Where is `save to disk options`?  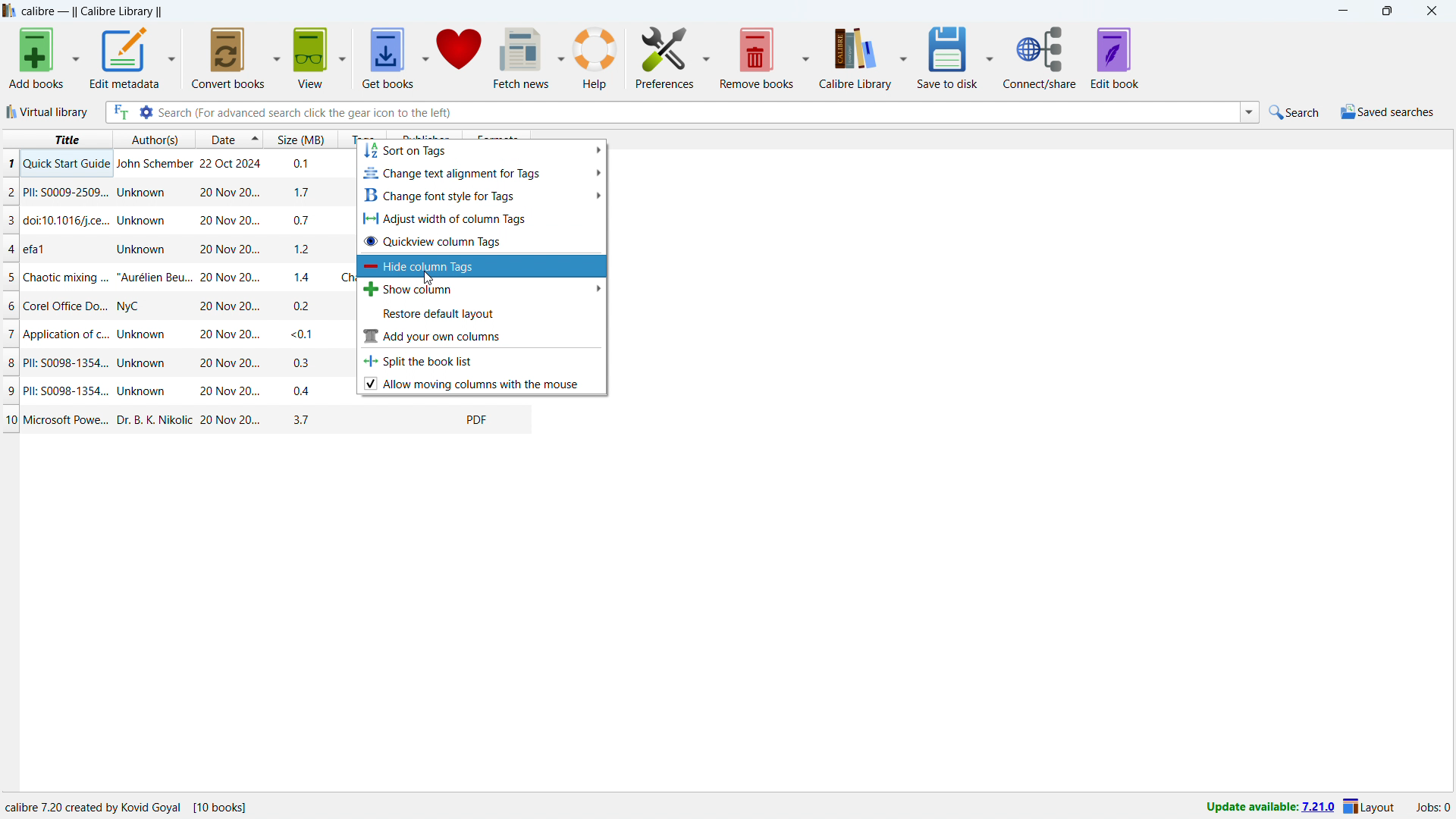
save to disk options is located at coordinates (990, 58).